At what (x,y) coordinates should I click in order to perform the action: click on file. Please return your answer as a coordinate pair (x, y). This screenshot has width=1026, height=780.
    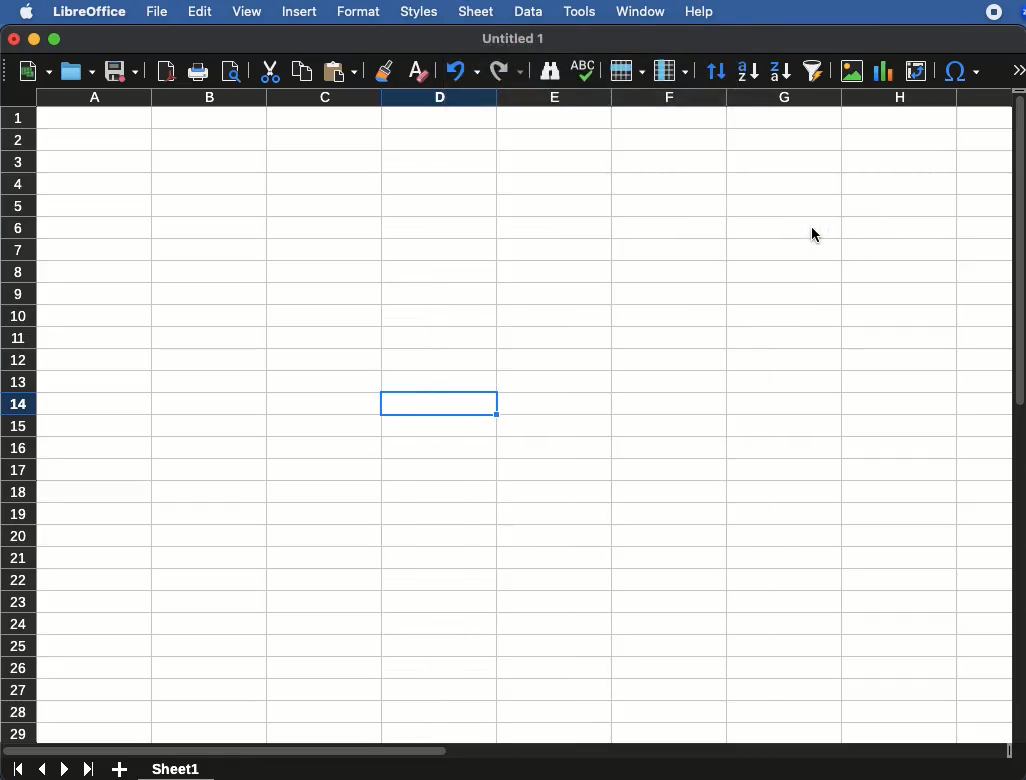
    Looking at the image, I should click on (155, 11).